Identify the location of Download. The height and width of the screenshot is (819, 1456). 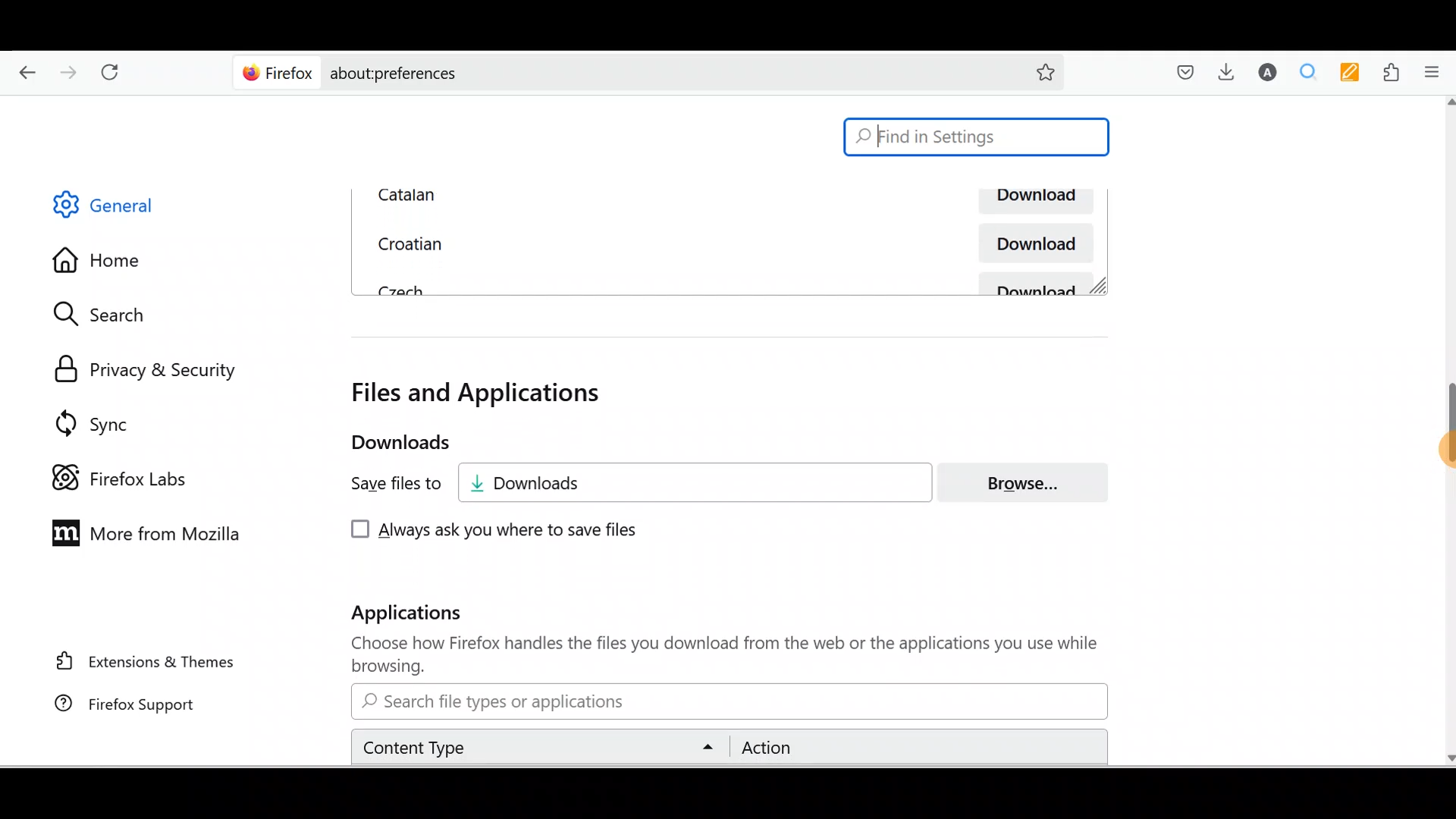
(1031, 243).